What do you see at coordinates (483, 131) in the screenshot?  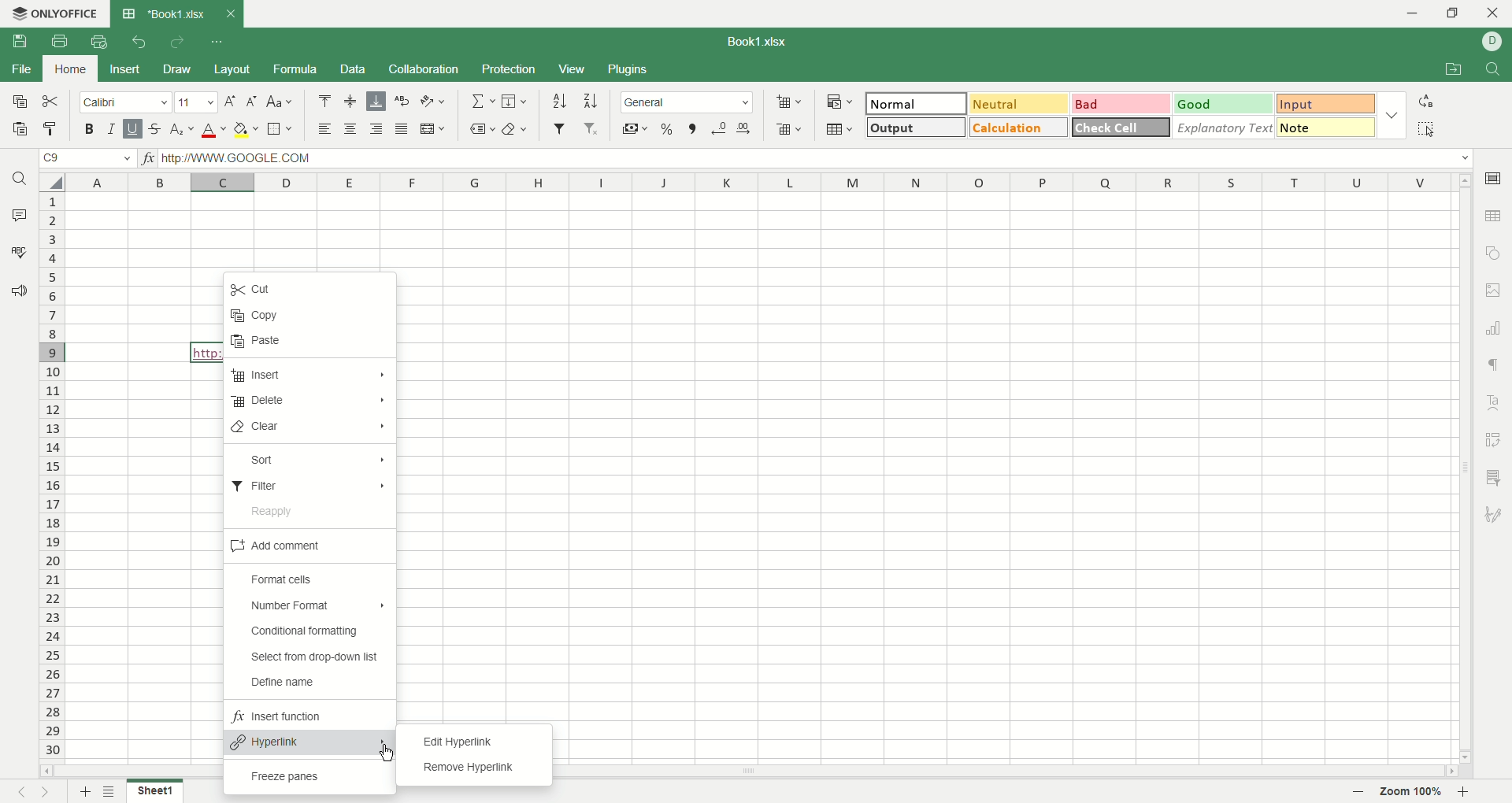 I see `named ranges` at bounding box center [483, 131].